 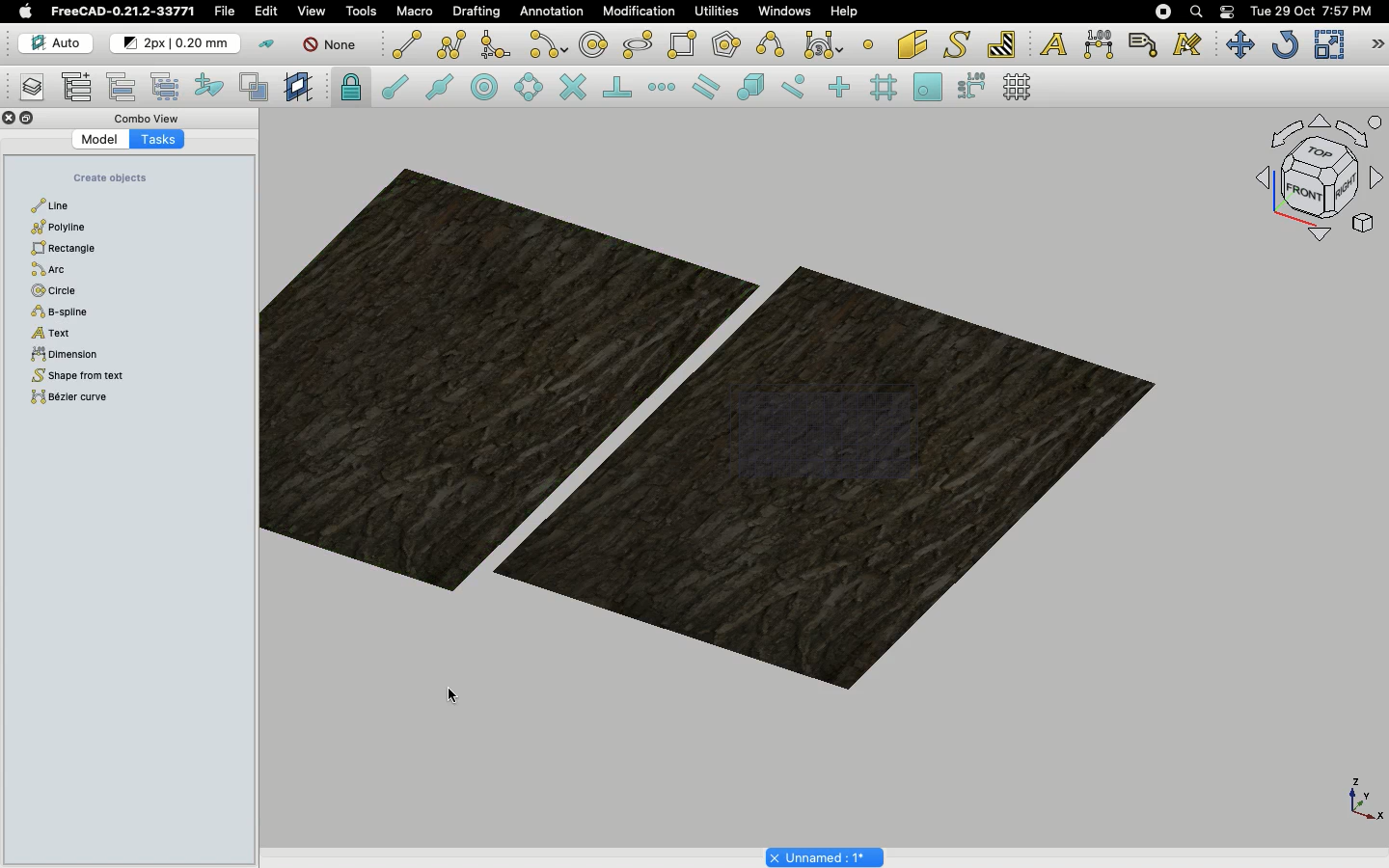 I want to click on Snap working plane, so click(x=928, y=89).